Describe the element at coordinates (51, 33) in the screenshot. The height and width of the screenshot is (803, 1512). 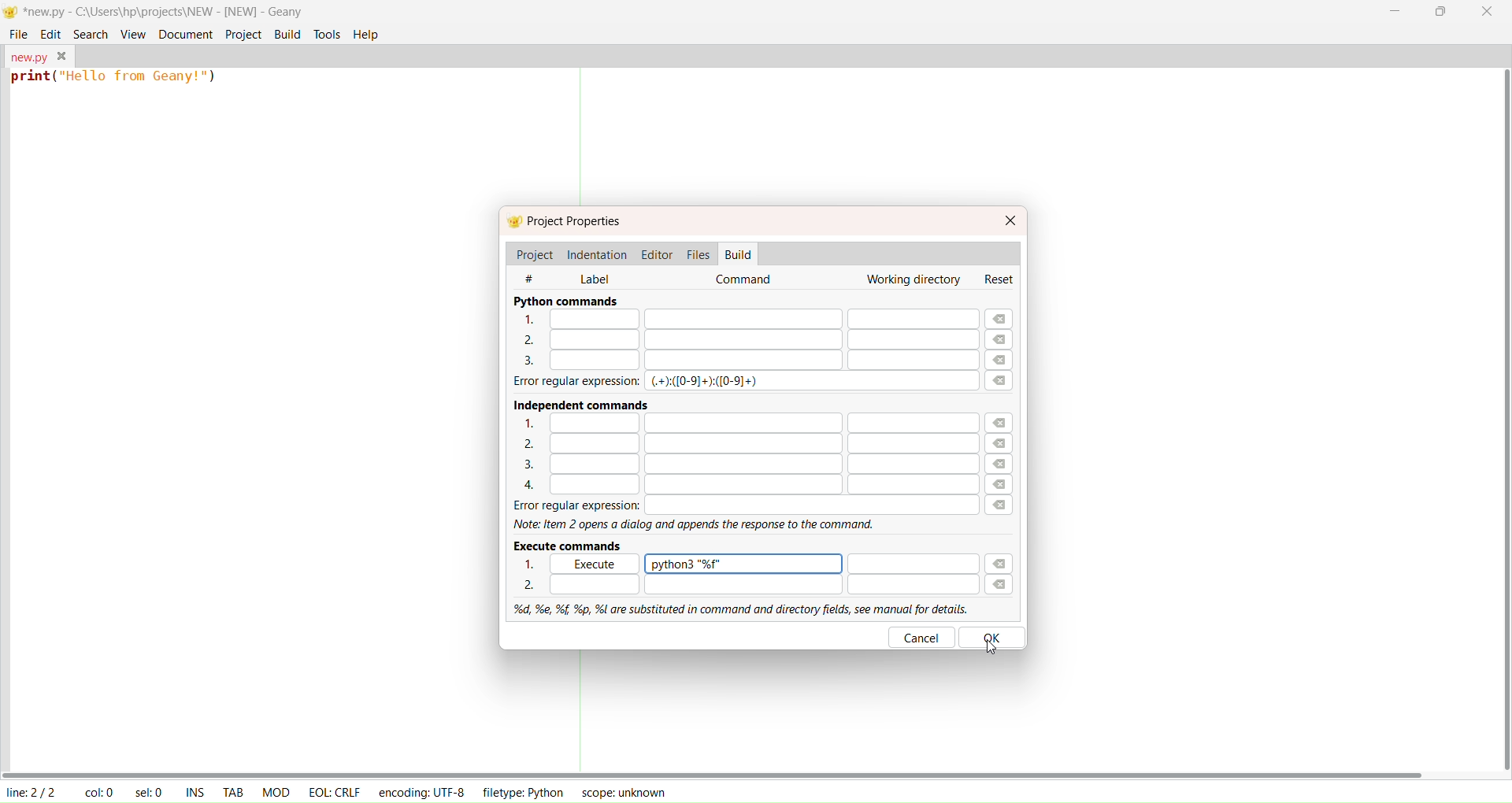
I see `edit` at that location.